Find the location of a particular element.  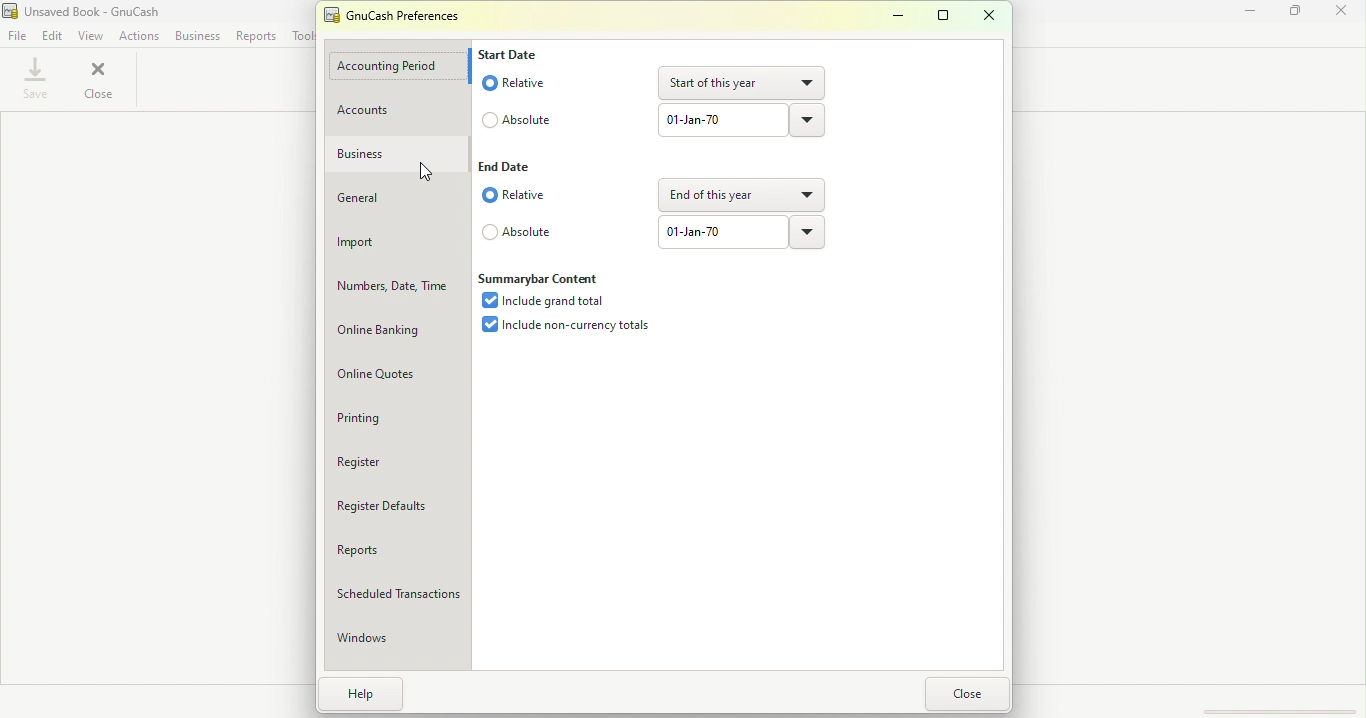

Relative is located at coordinates (523, 83).